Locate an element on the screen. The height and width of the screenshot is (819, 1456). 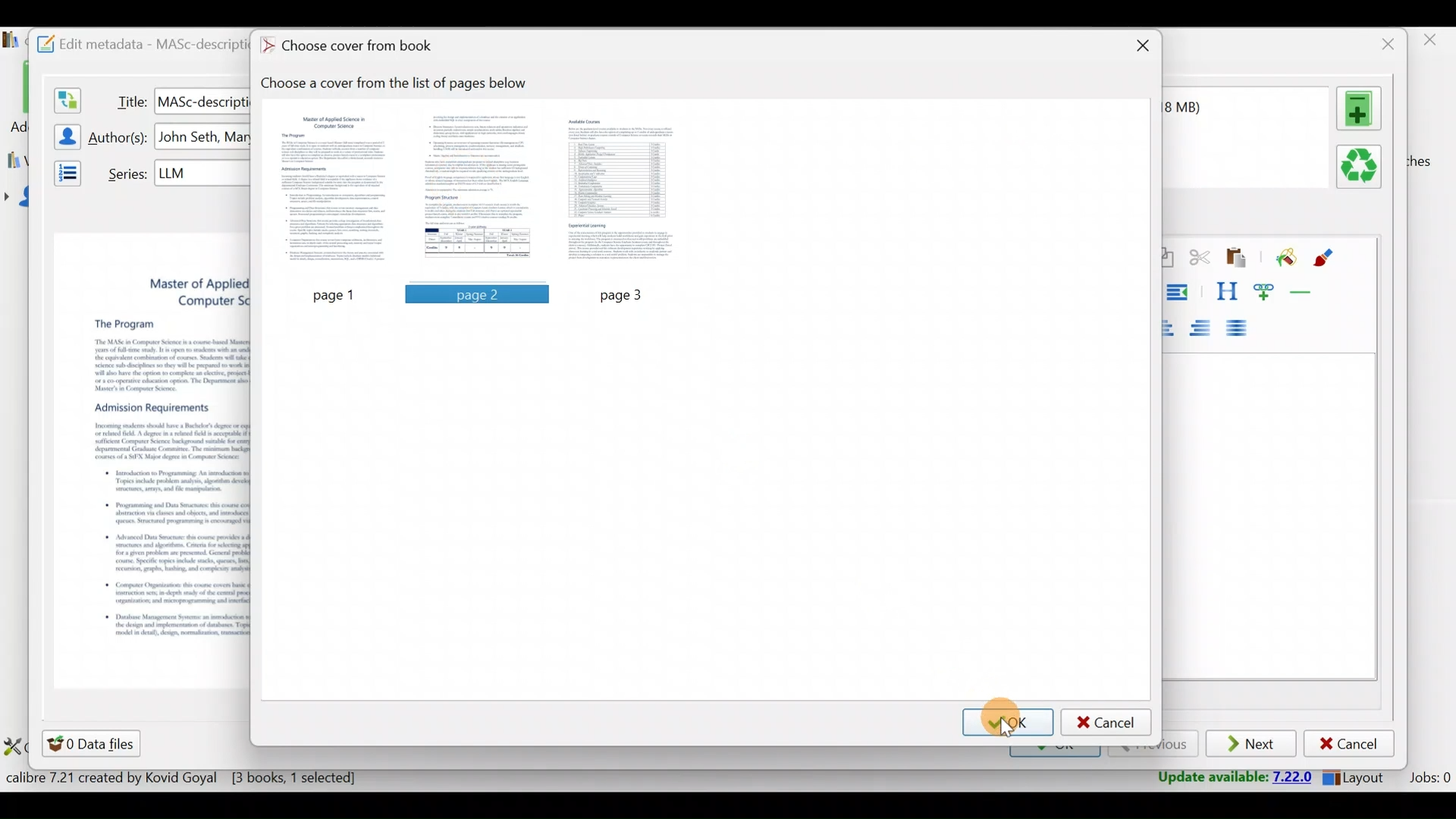
Jobs is located at coordinates (1428, 780).